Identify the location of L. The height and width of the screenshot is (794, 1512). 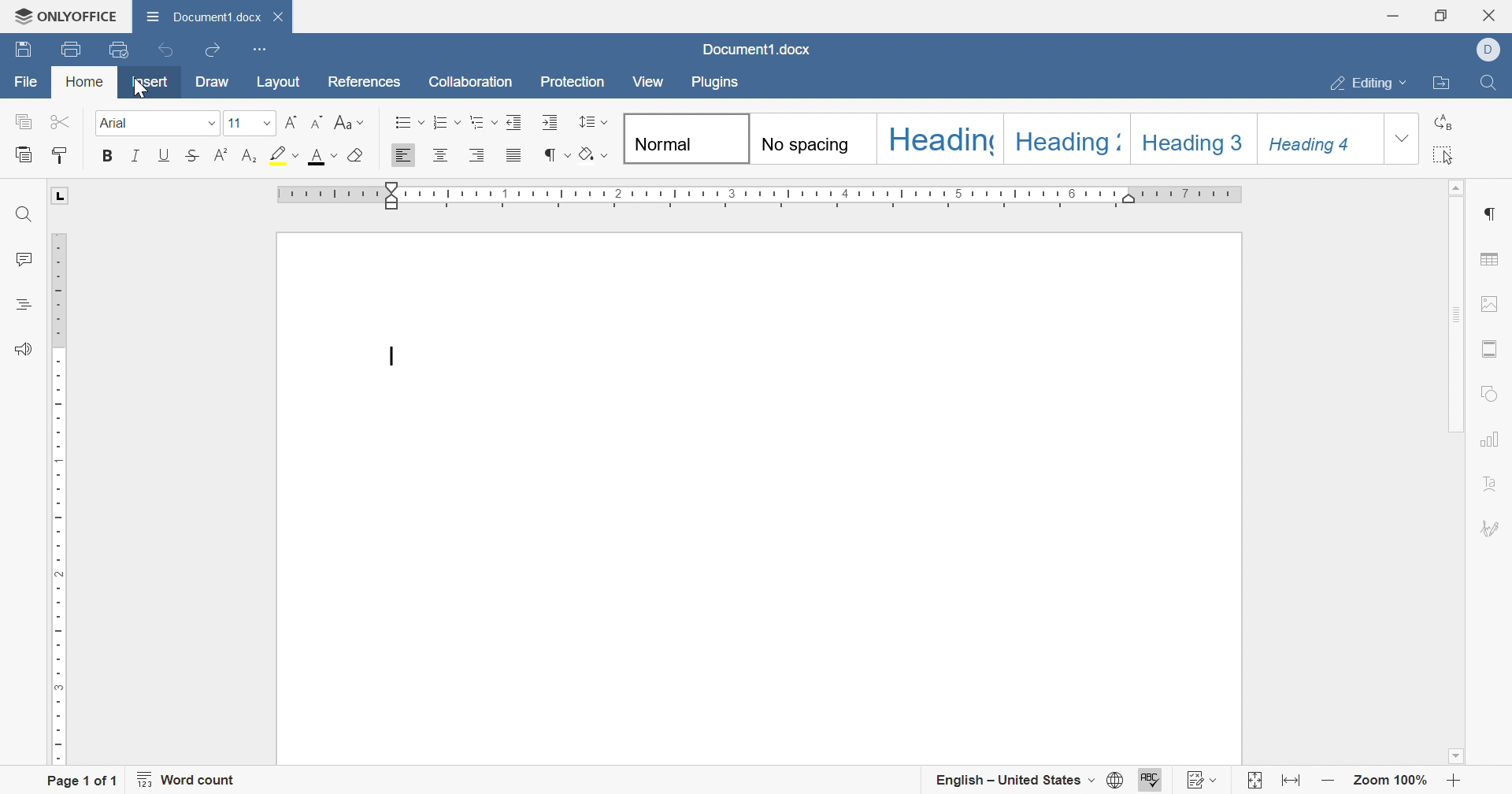
(61, 196).